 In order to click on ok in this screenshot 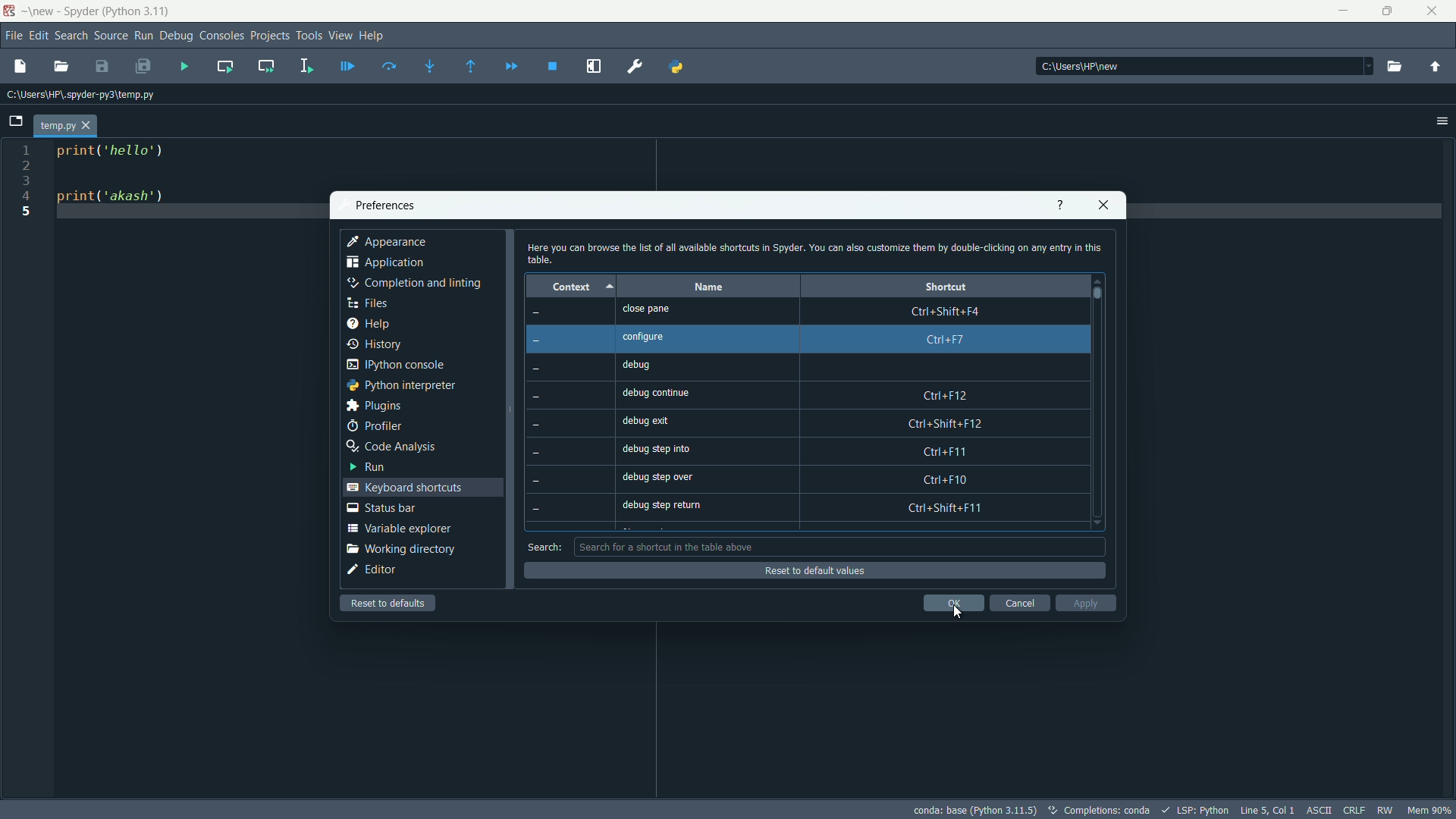, I will do `click(953, 603)`.